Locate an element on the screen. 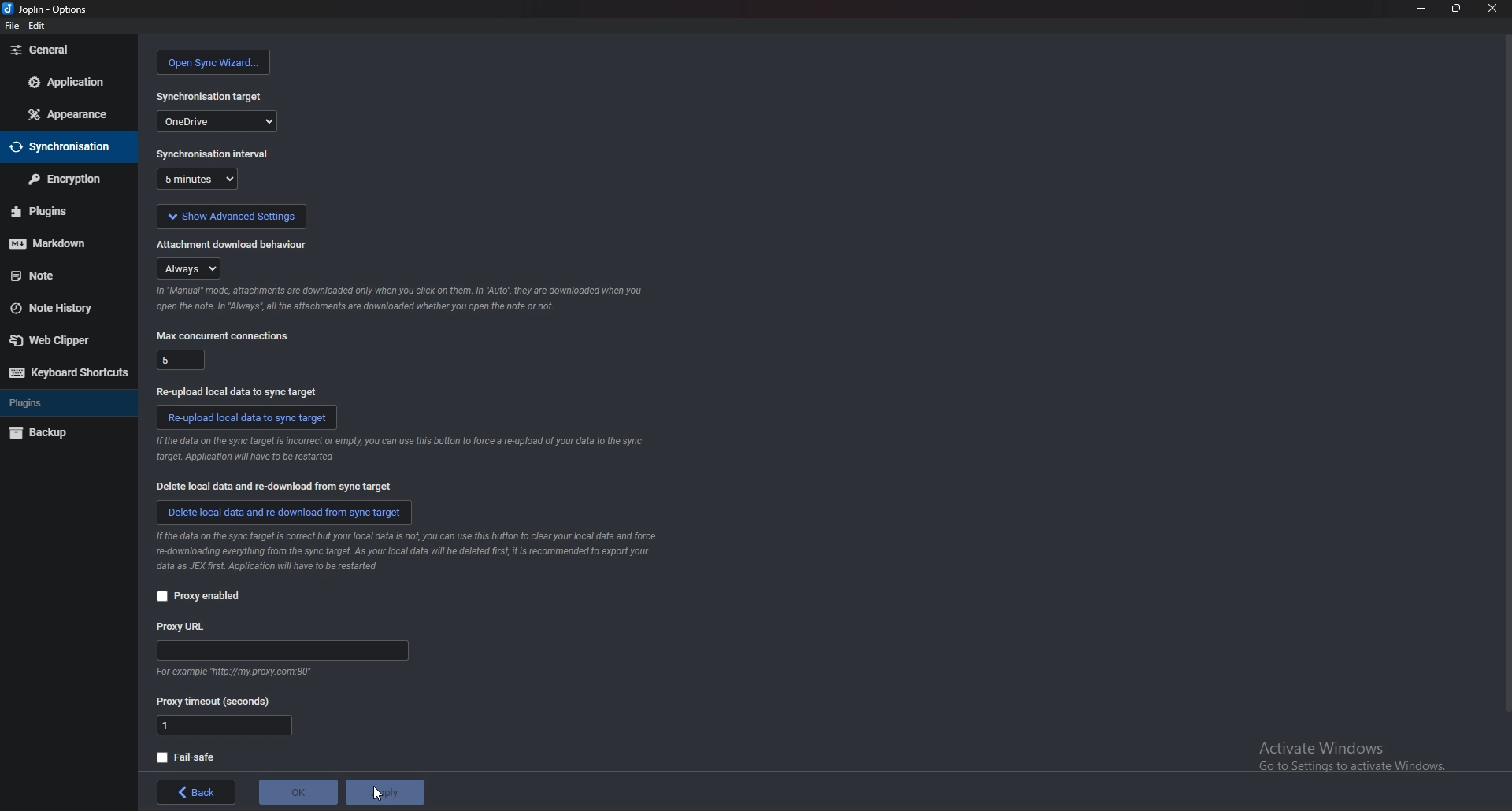 This screenshot has width=1512, height=811. sync is located at coordinates (65, 146).